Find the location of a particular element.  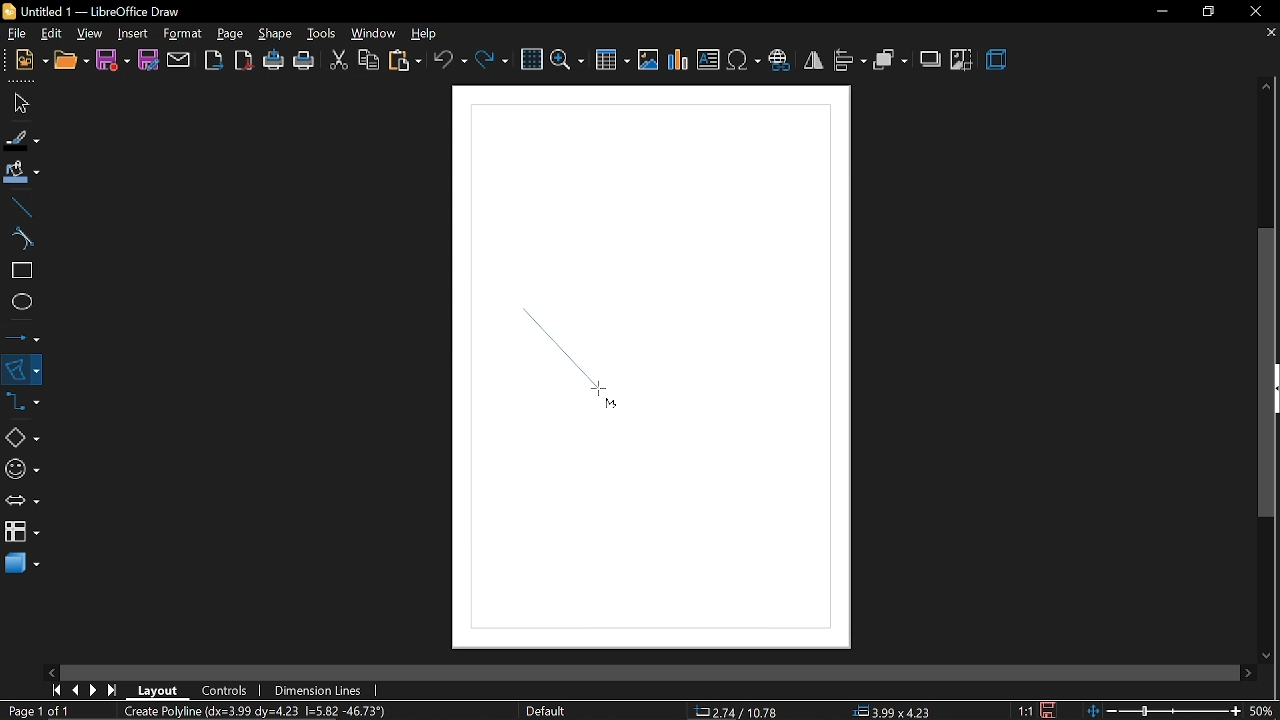

print directly is located at coordinates (275, 61).